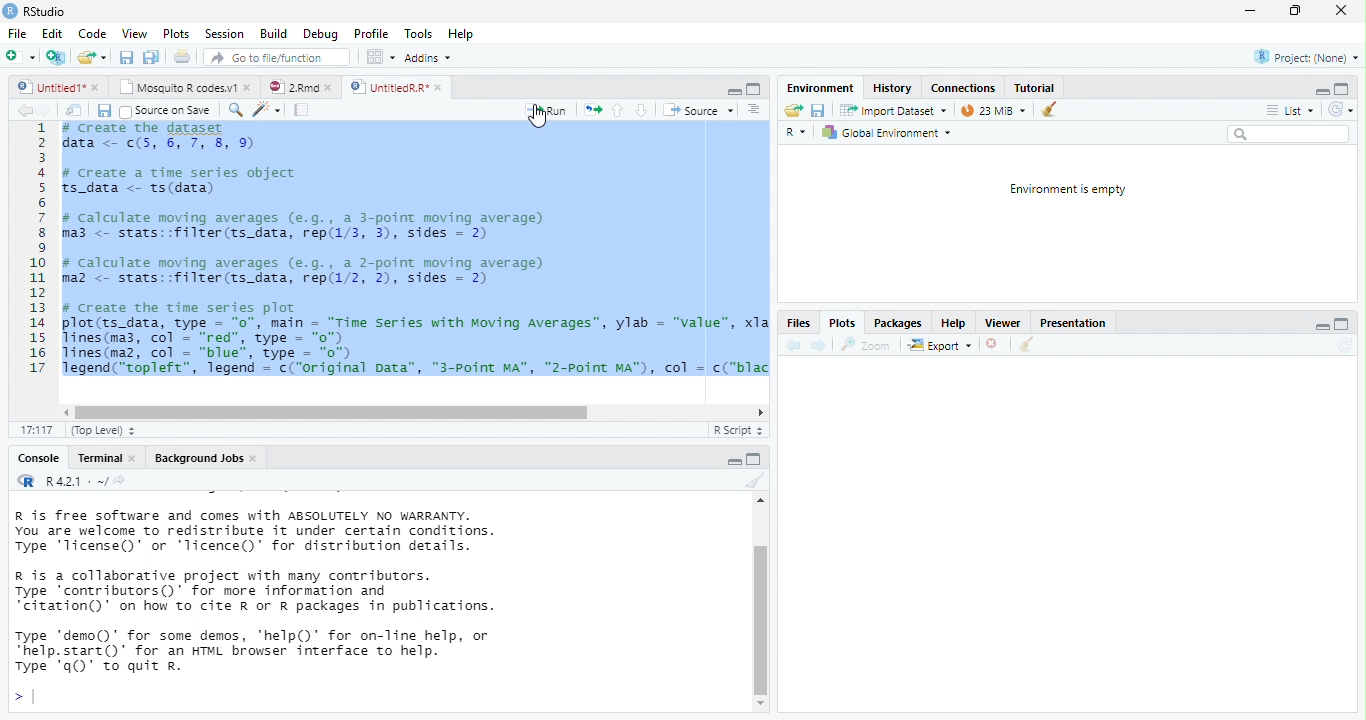  What do you see at coordinates (1071, 325) in the screenshot?
I see `Presentation` at bounding box center [1071, 325].